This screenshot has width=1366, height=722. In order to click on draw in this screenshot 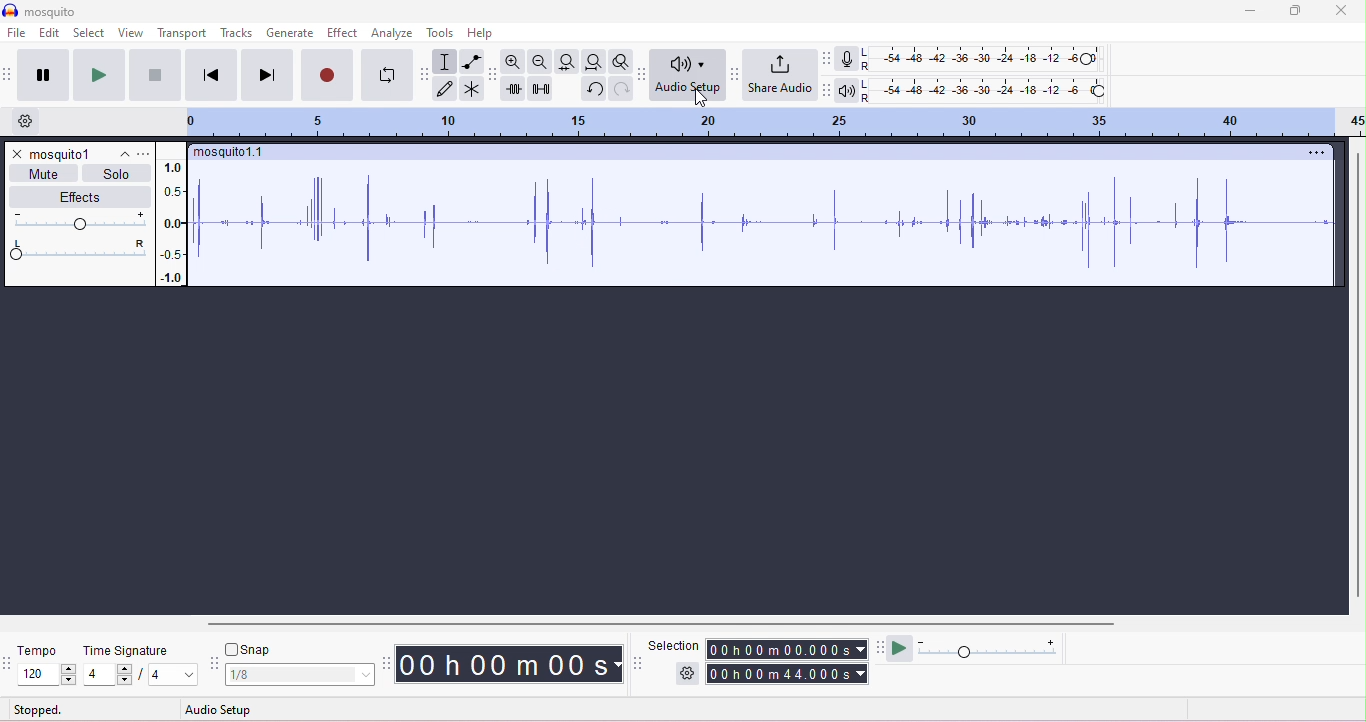, I will do `click(446, 90)`.